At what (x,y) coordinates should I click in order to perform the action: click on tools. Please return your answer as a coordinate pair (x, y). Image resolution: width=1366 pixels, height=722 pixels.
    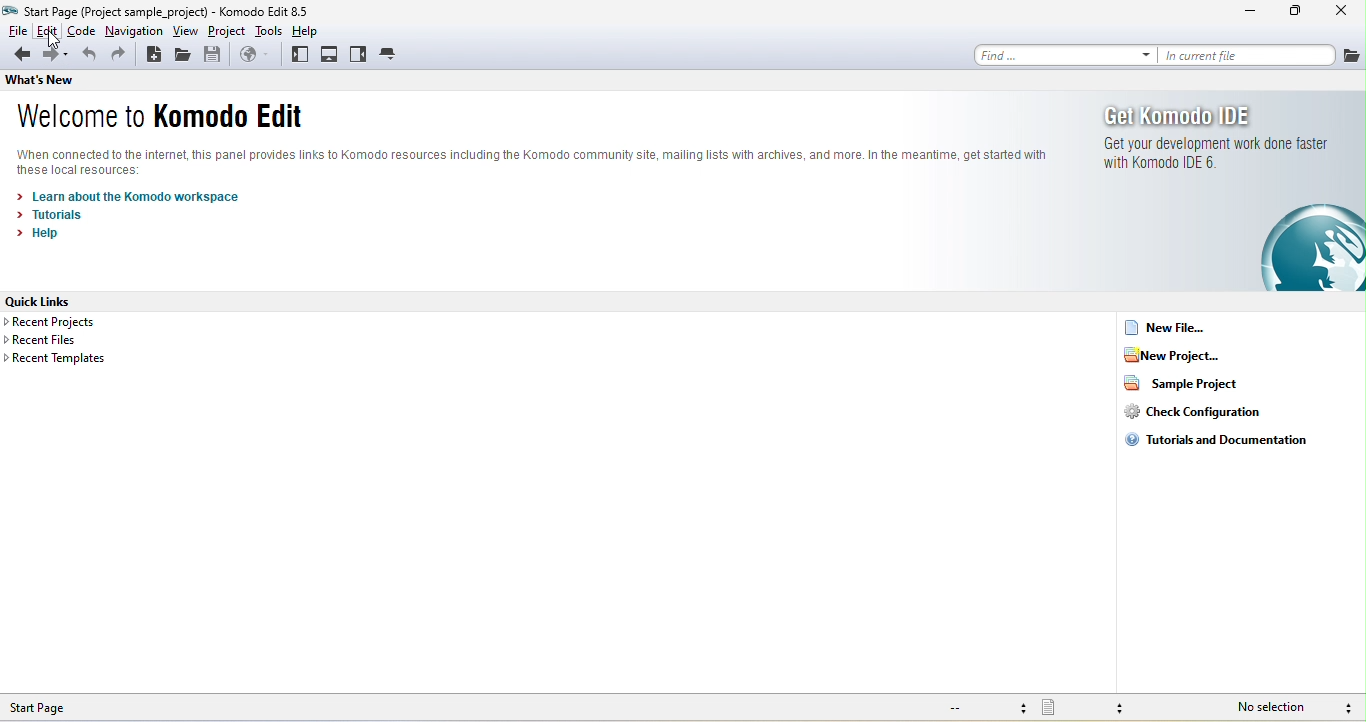
    Looking at the image, I should click on (269, 30).